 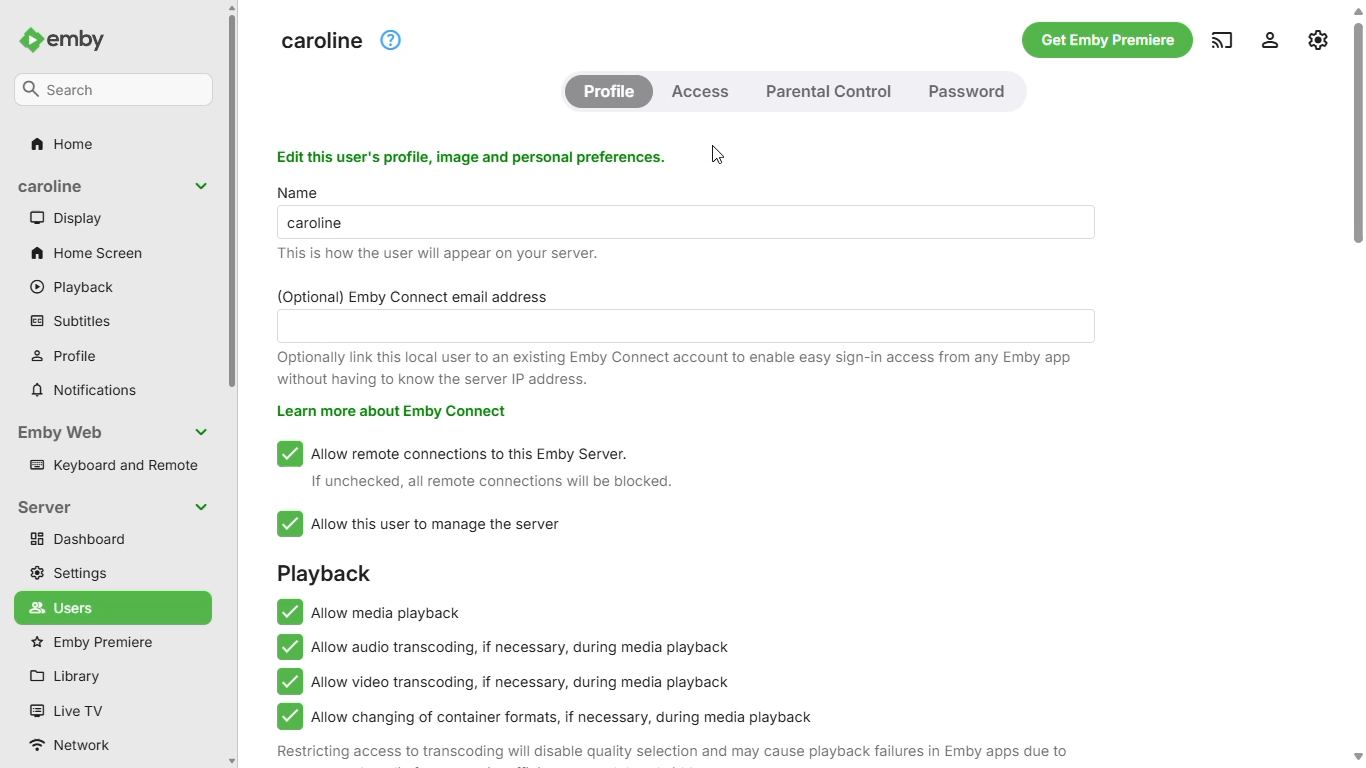 What do you see at coordinates (1318, 38) in the screenshot?
I see `manage emby server` at bounding box center [1318, 38].